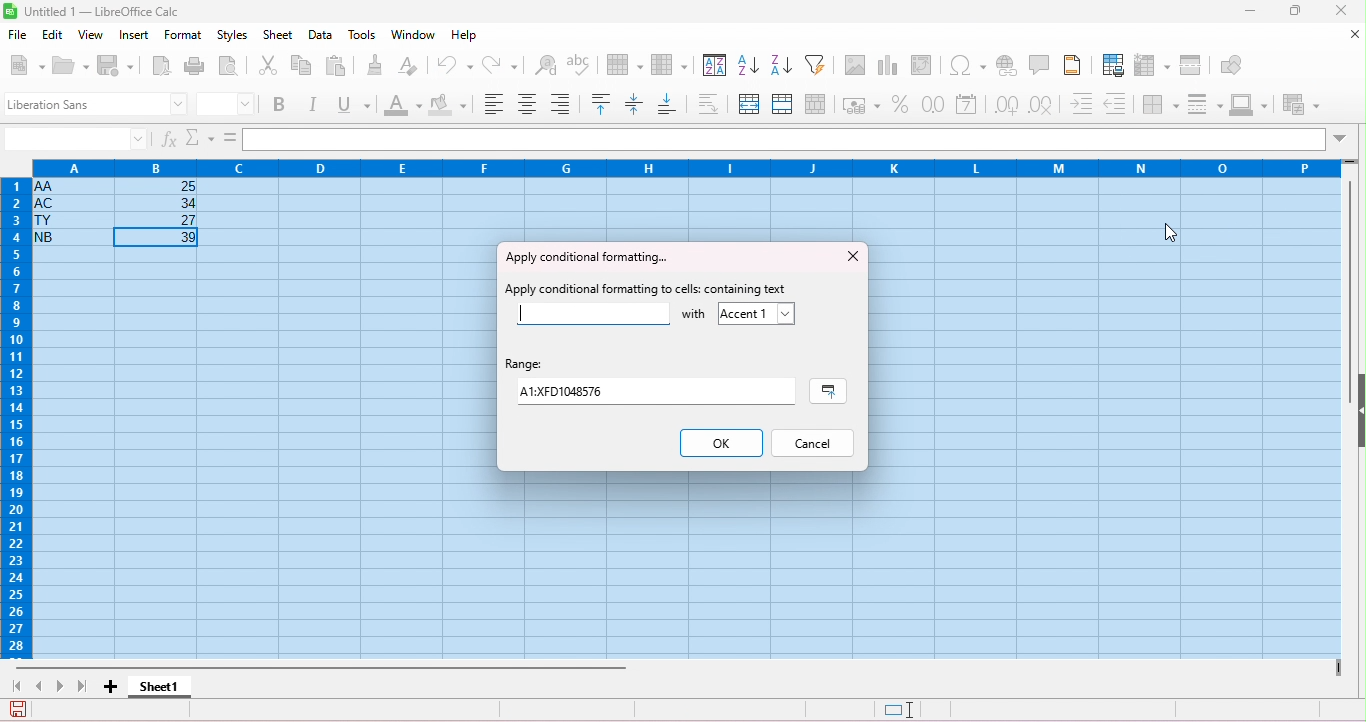 This screenshot has width=1366, height=722. What do you see at coordinates (108, 686) in the screenshot?
I see `add sheet1` at bounding box center [108, 686].